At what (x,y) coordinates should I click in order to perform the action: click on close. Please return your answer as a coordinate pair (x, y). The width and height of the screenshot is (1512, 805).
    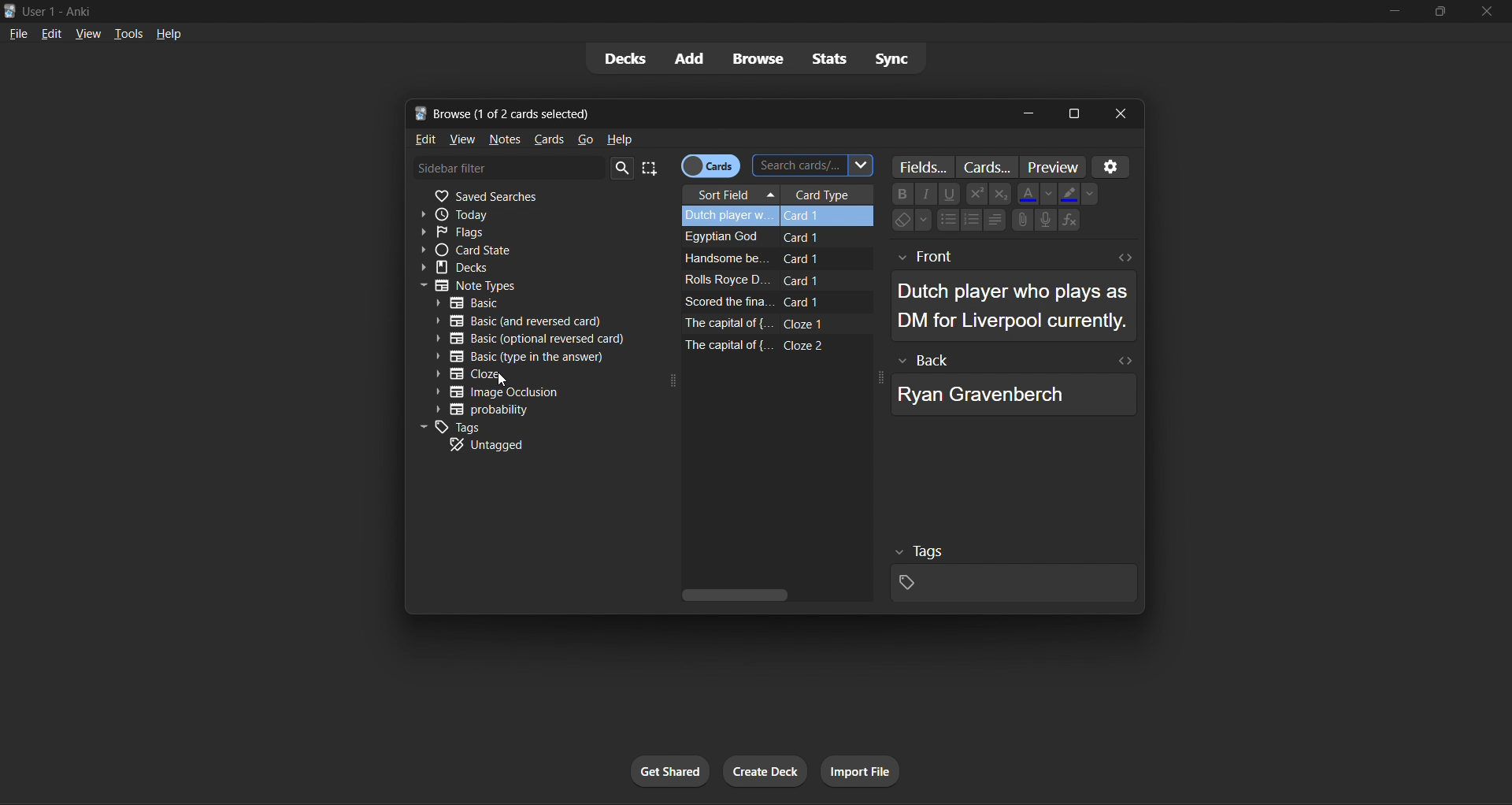
    Looking at the image, I should click on (1485, 10).